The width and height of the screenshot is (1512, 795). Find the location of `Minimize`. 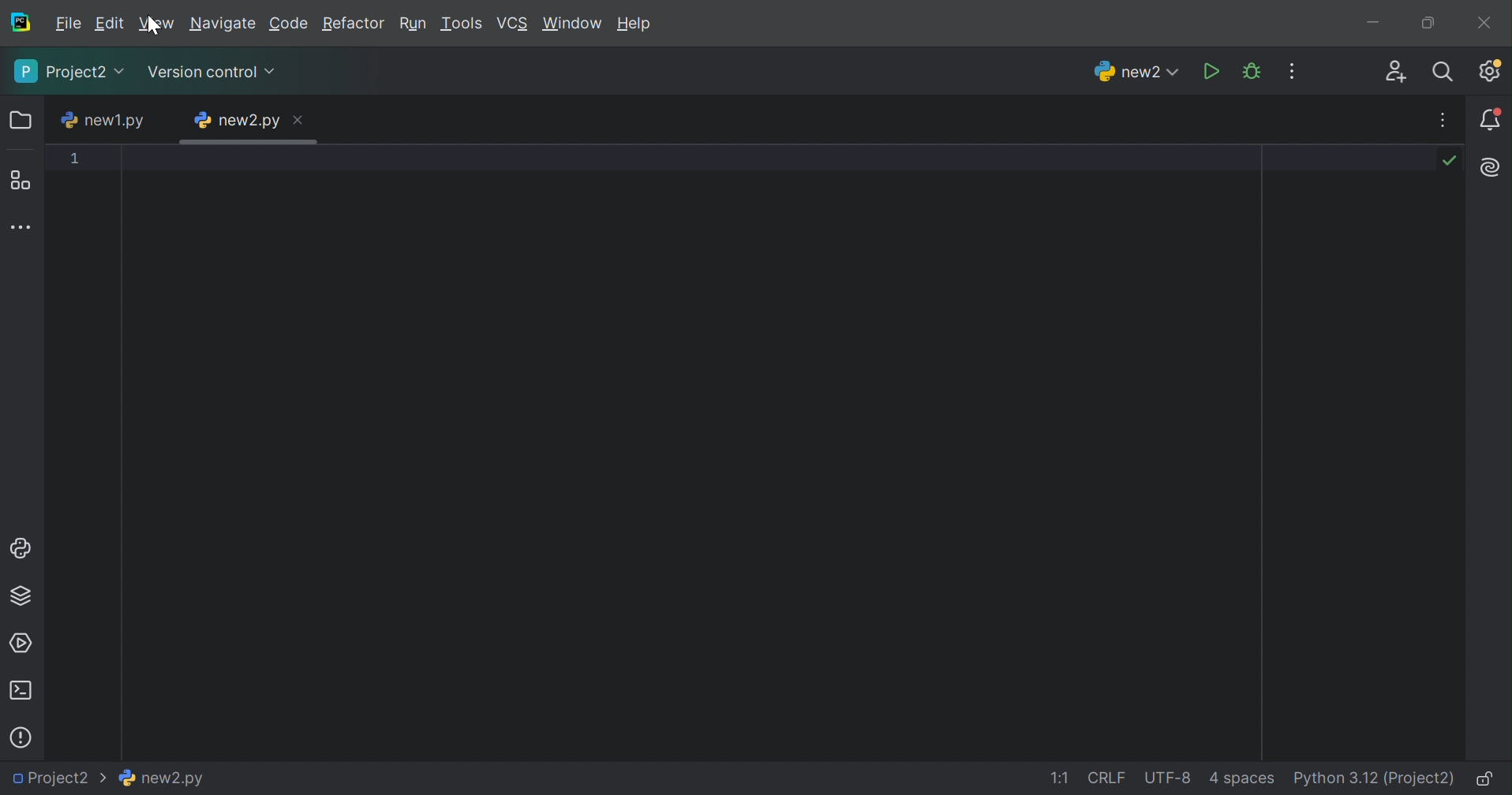

Minimize is located at coordinates (1381, 23).